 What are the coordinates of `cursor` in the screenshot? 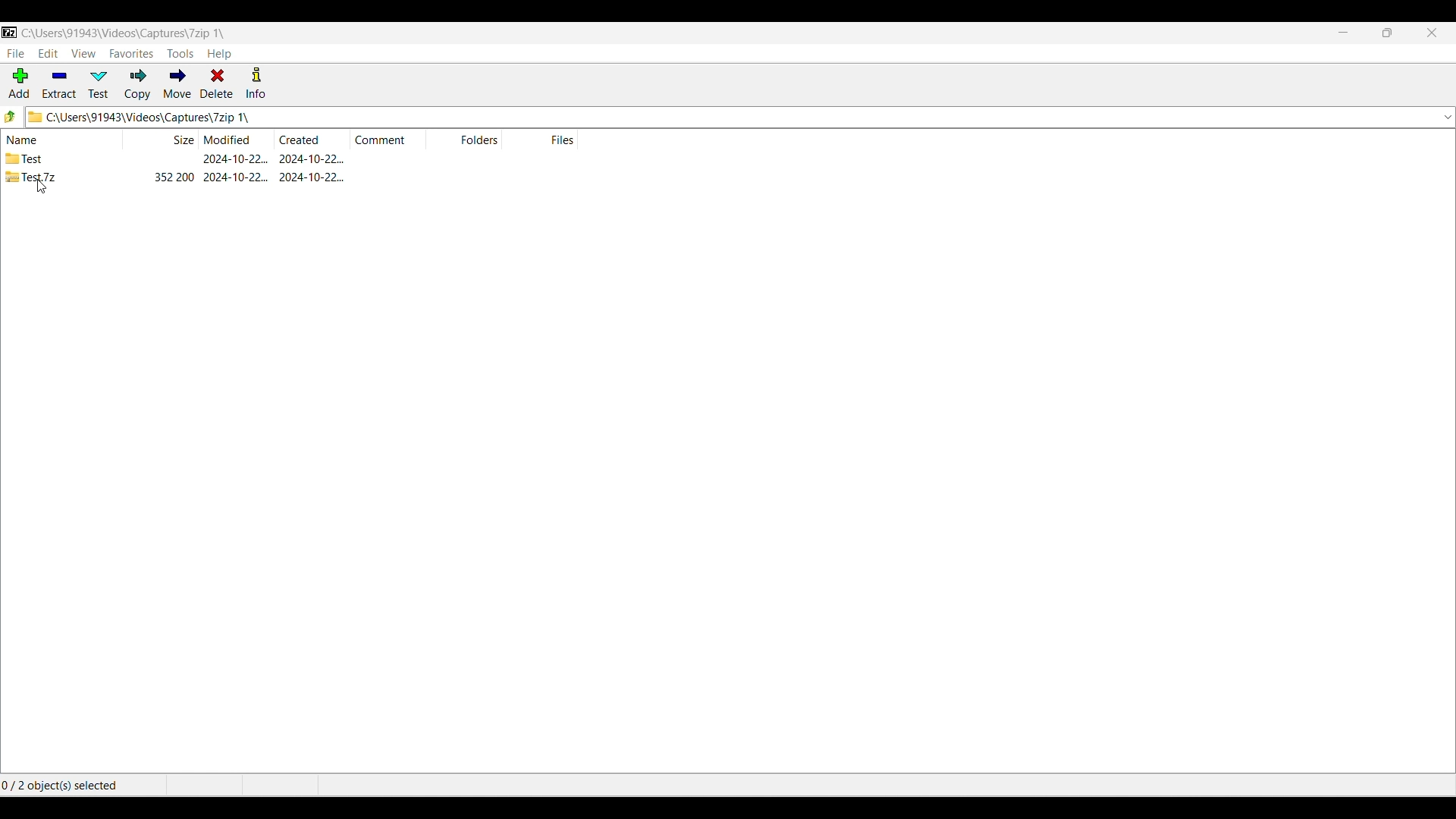 It's located at (42, 187).